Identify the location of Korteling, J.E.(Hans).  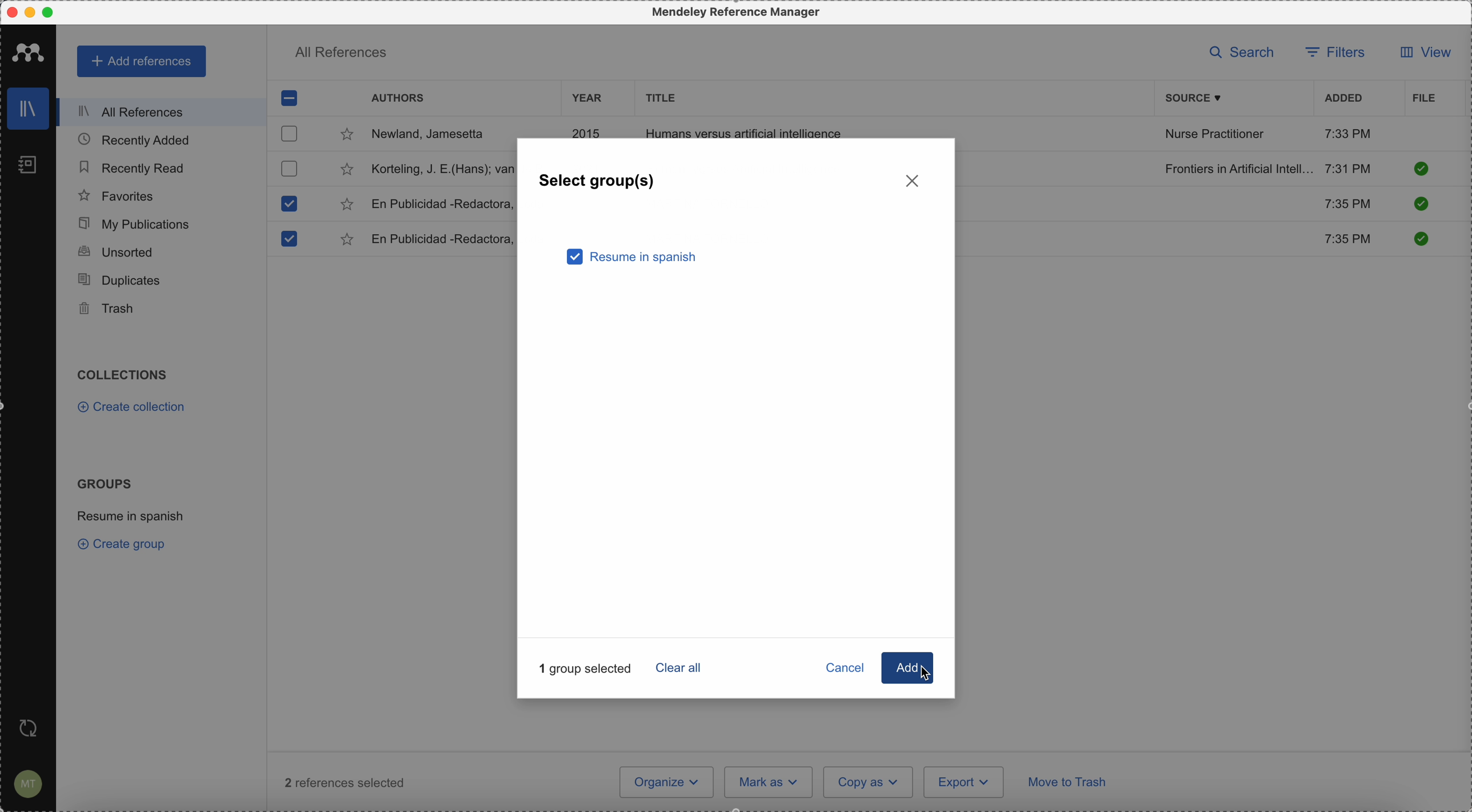
(441, 169).